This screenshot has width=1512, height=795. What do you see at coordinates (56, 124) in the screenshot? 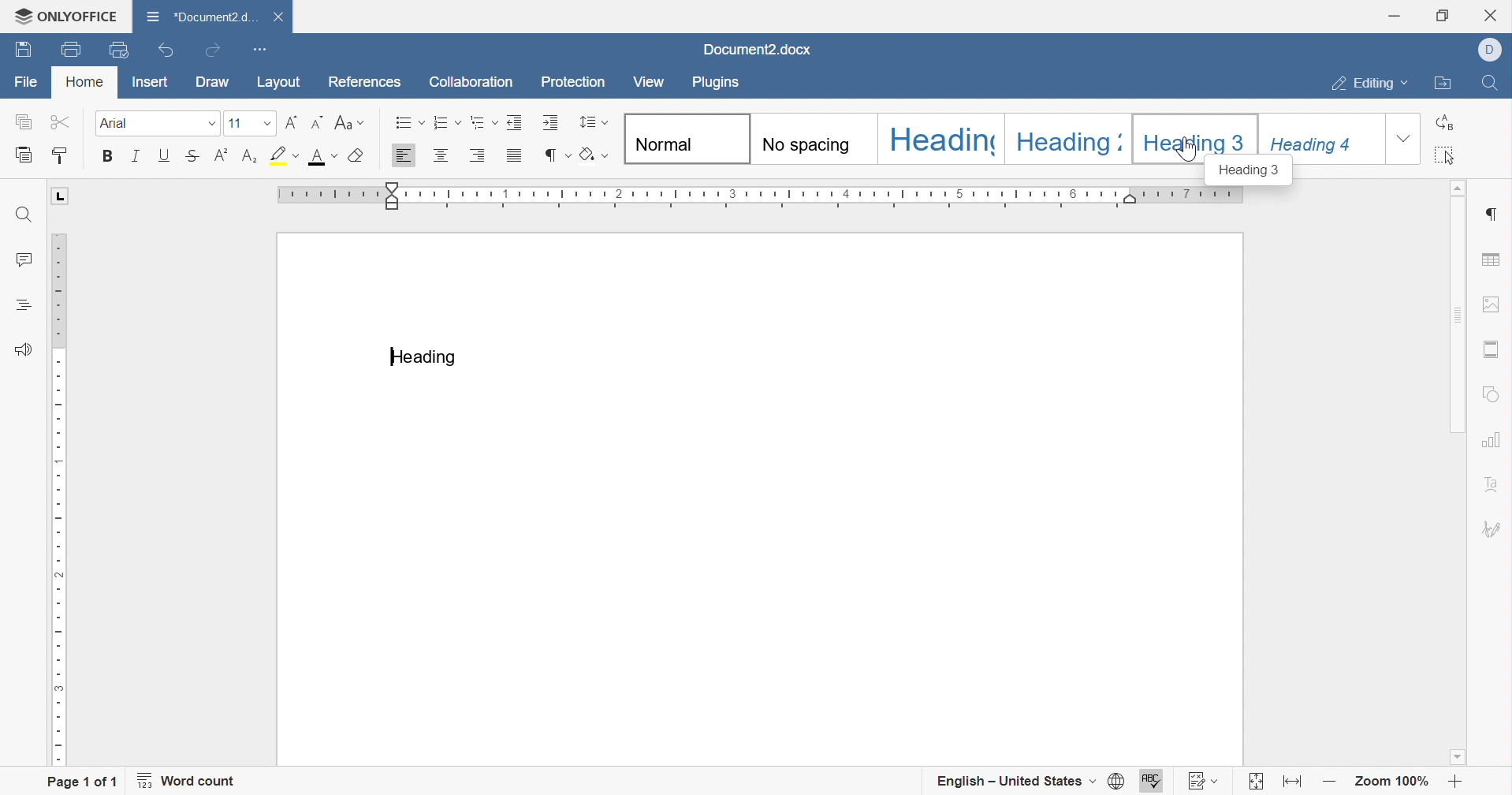
I see `Cut` at bounding box center [56, 124].